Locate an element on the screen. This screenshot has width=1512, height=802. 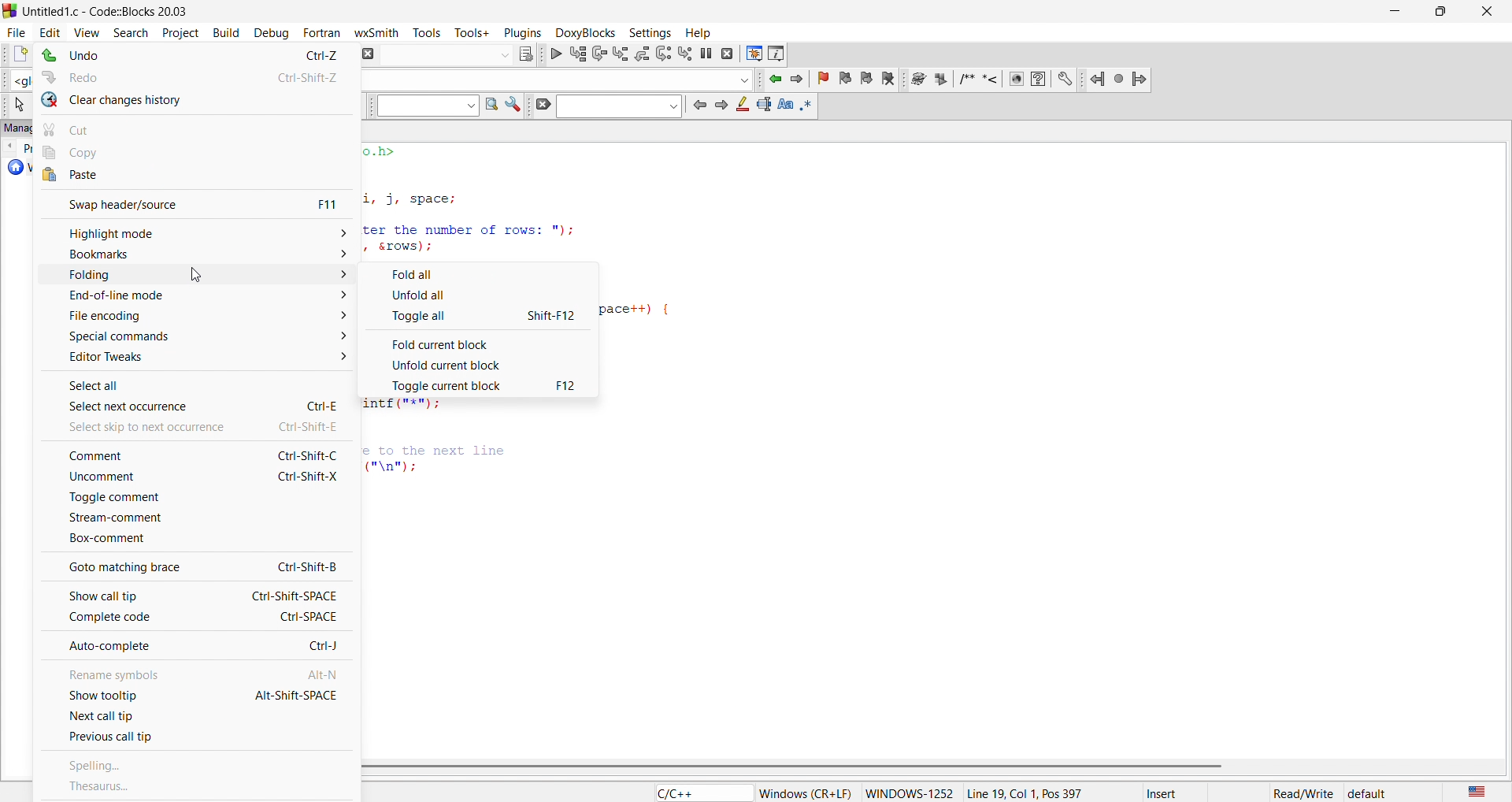
next call tip is located at coordinates (197, 717).